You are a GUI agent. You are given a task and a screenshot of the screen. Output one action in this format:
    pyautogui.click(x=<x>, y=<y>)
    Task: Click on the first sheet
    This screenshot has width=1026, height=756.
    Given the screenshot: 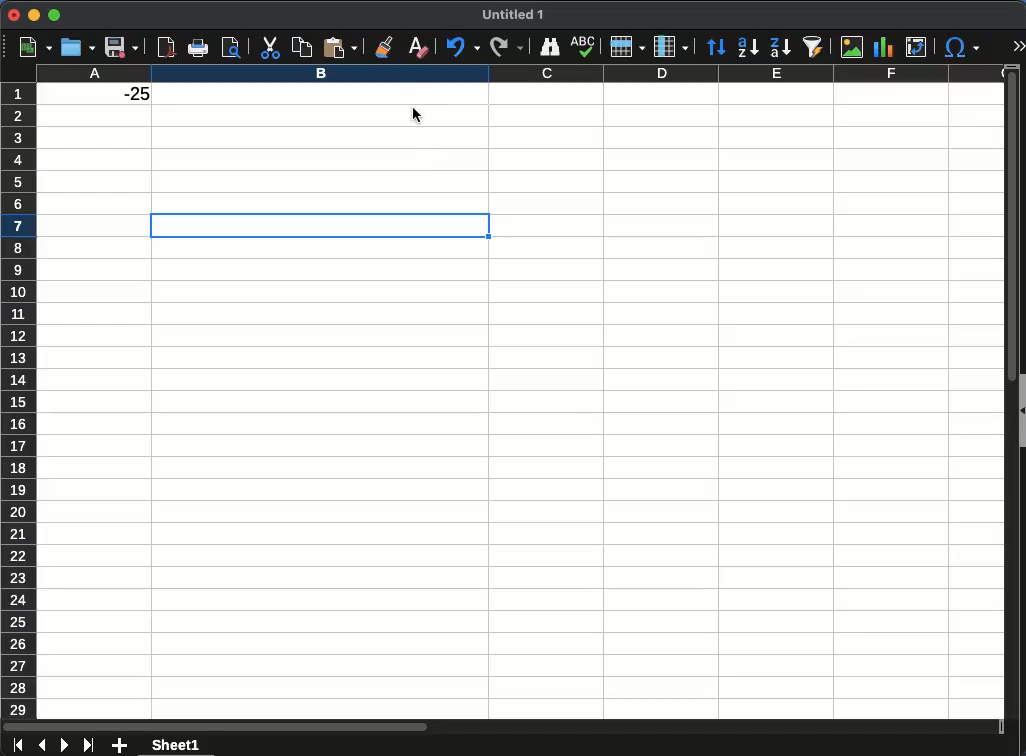 What is the action you would take?
    pyautogui.click(x=19, y=746)
    